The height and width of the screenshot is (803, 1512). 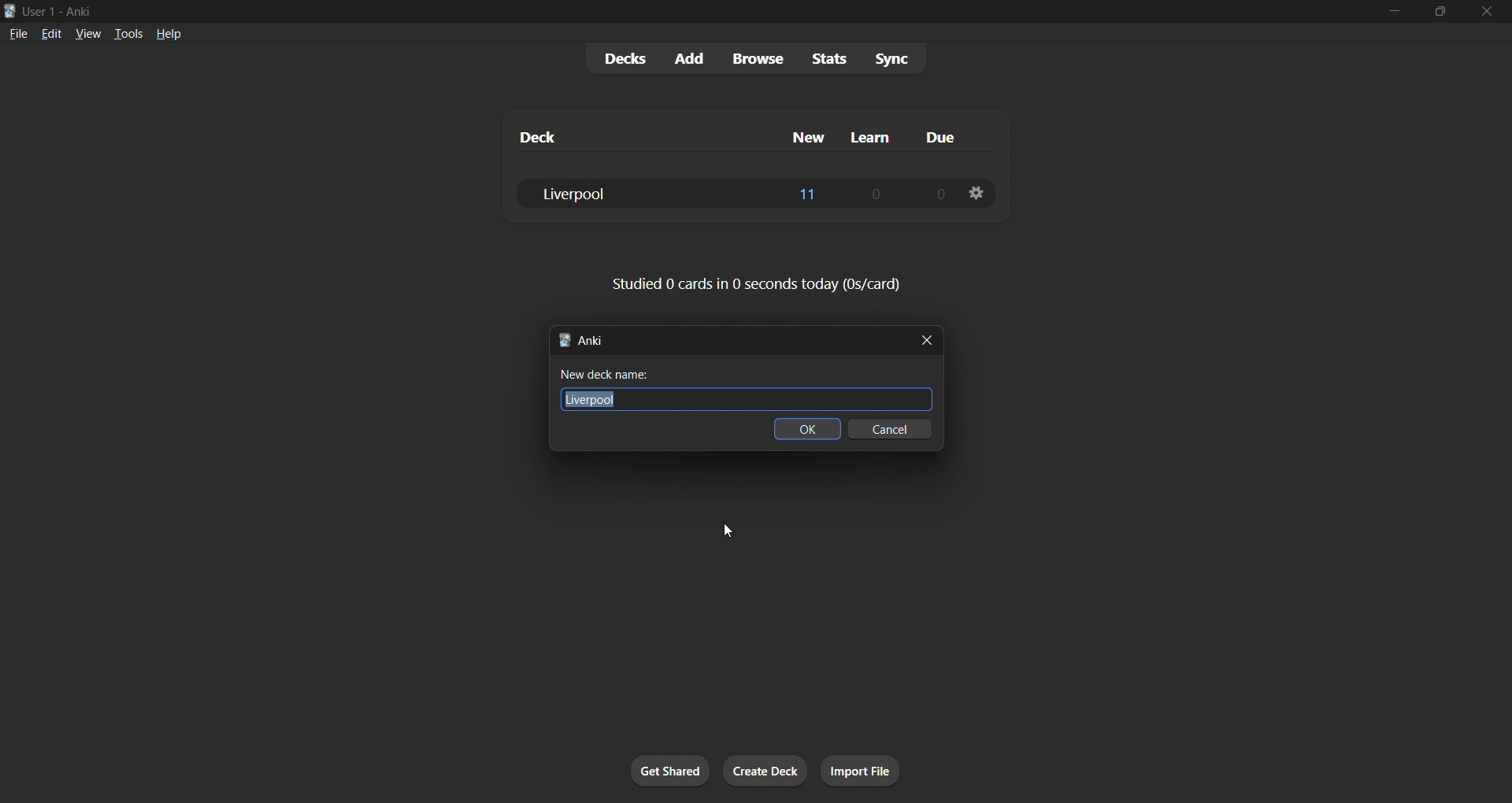 I want to click on due column, so click(x=949, y=139).